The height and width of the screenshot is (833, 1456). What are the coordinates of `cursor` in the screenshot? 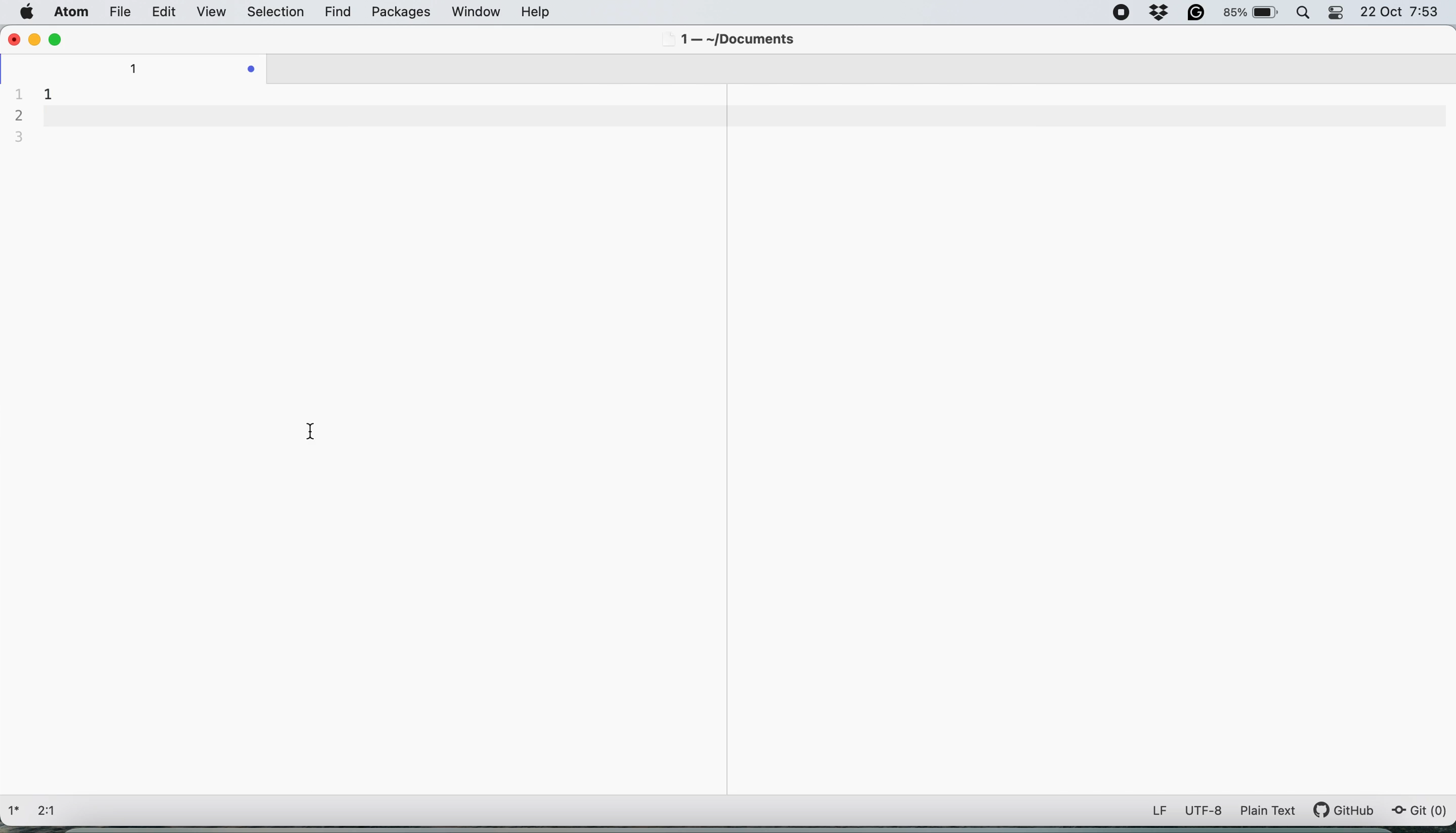 It's located at (310, 430).